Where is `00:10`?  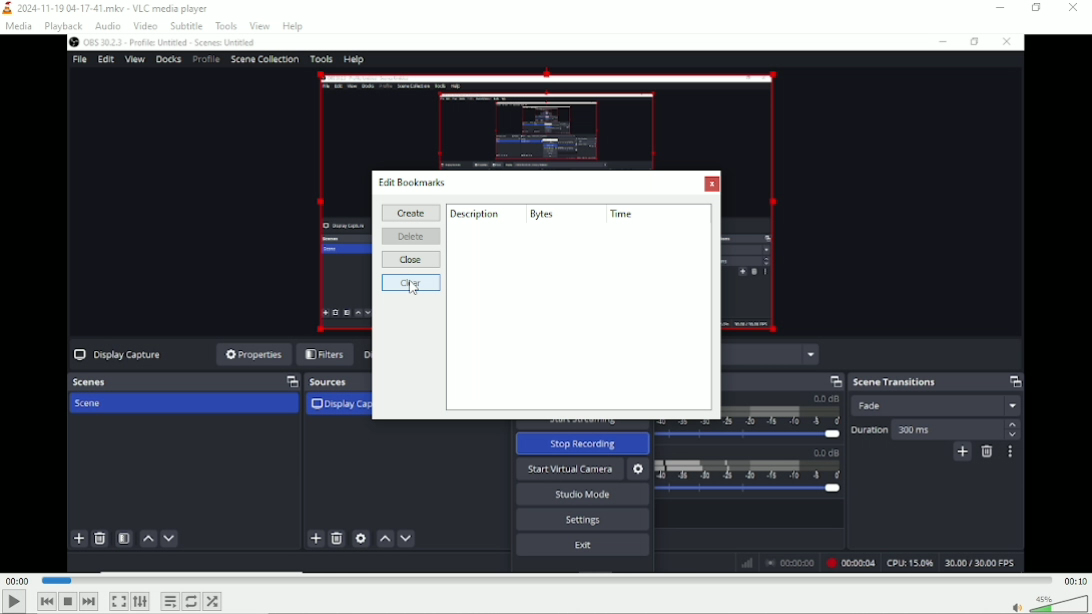
00:10 is located at coordinates (1074, 581).